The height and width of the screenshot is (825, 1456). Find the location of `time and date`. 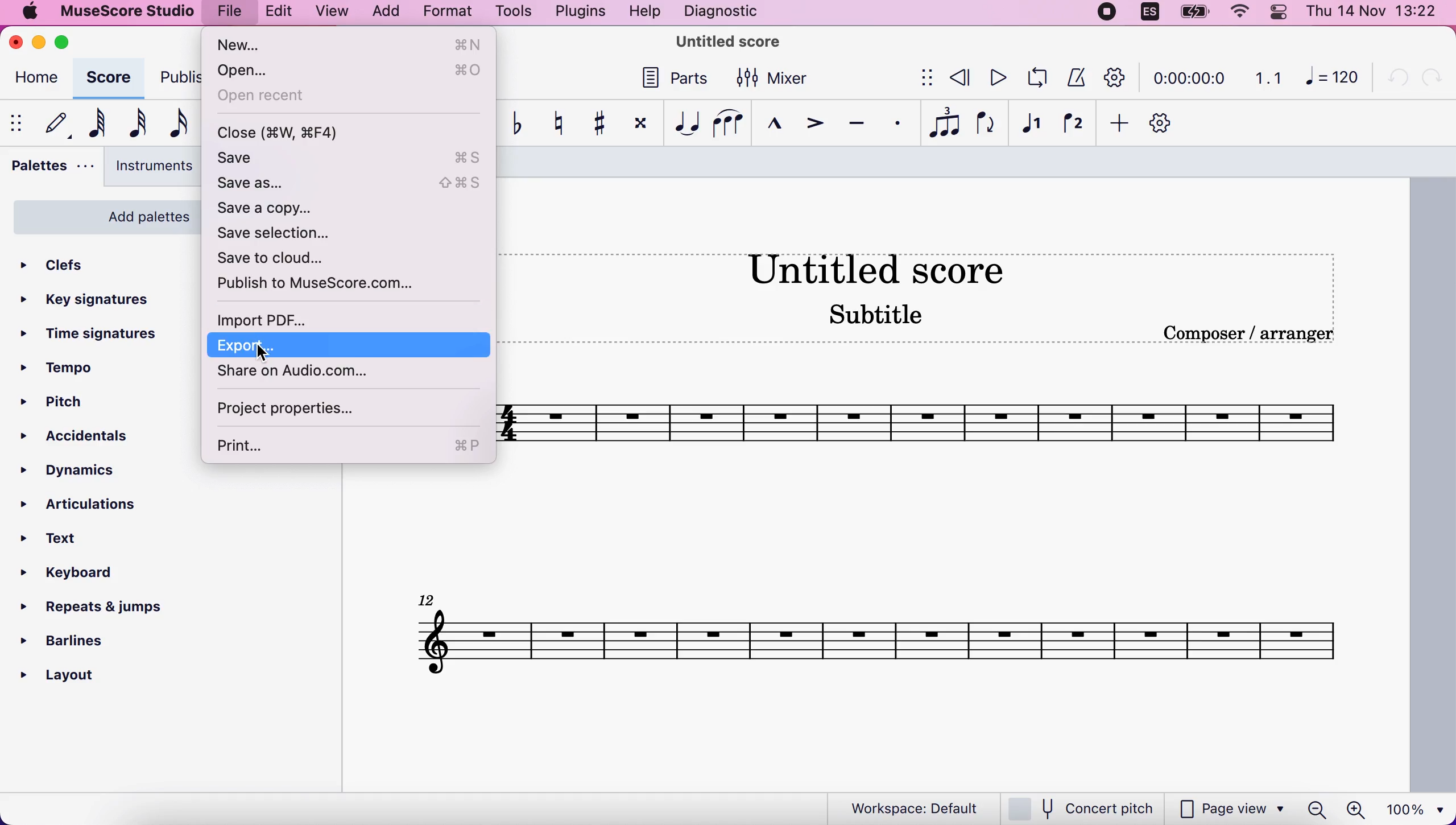

time and date is located at coordinates (1376, 14).